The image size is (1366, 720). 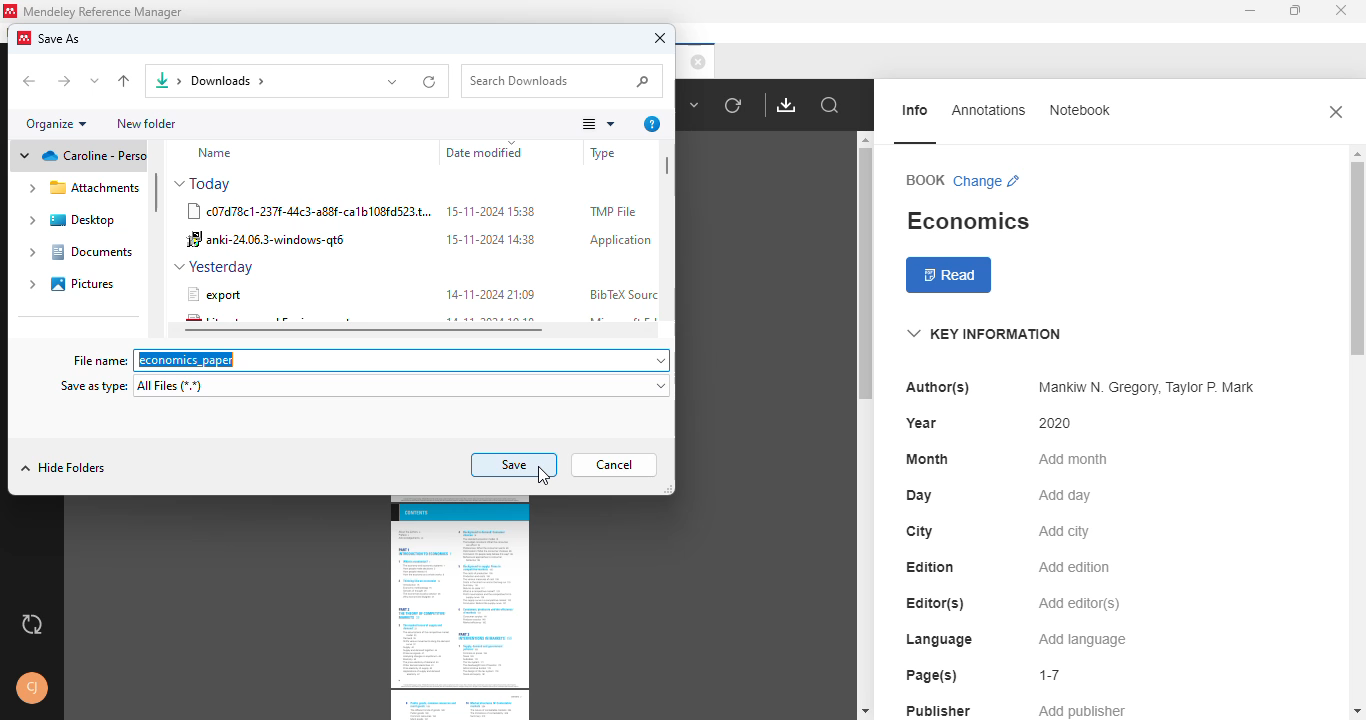 I want to click on language, so click(x=938, y=640).